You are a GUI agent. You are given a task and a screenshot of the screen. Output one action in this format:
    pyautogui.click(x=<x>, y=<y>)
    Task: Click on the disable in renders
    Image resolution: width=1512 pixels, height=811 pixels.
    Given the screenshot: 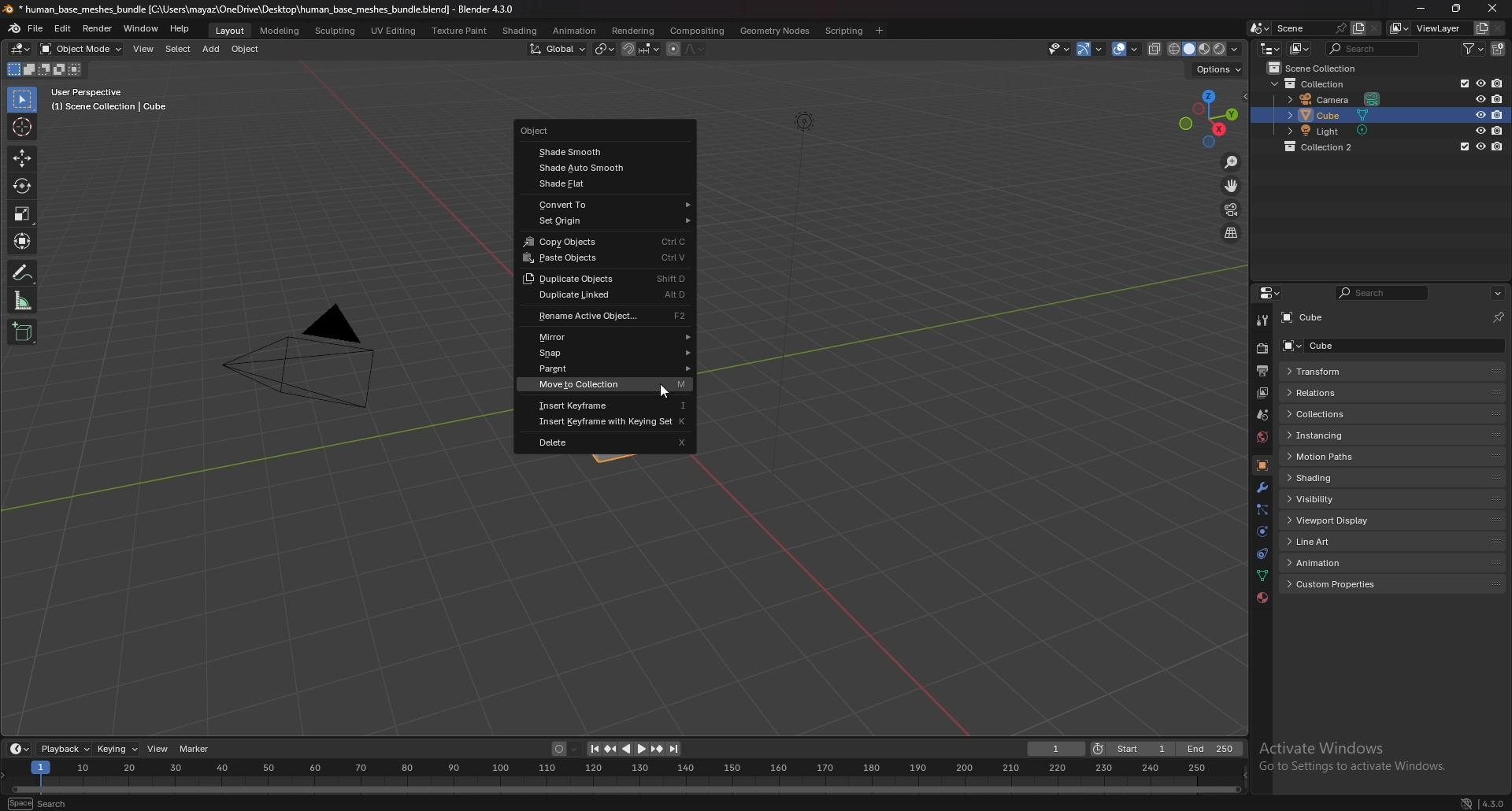 What is the action you would take?
    pyautogui.click(x=1499, y=130)
    